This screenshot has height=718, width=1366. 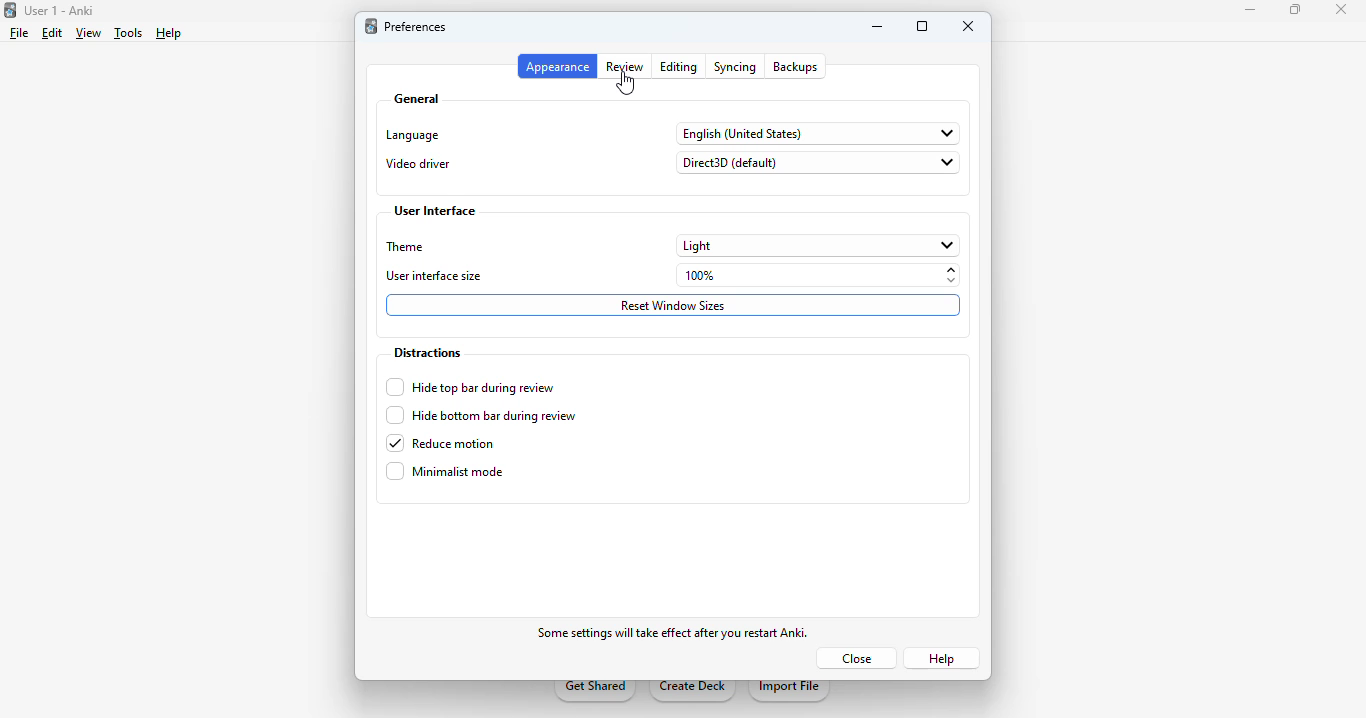 I want to click on view, so click(x=88, y=34).